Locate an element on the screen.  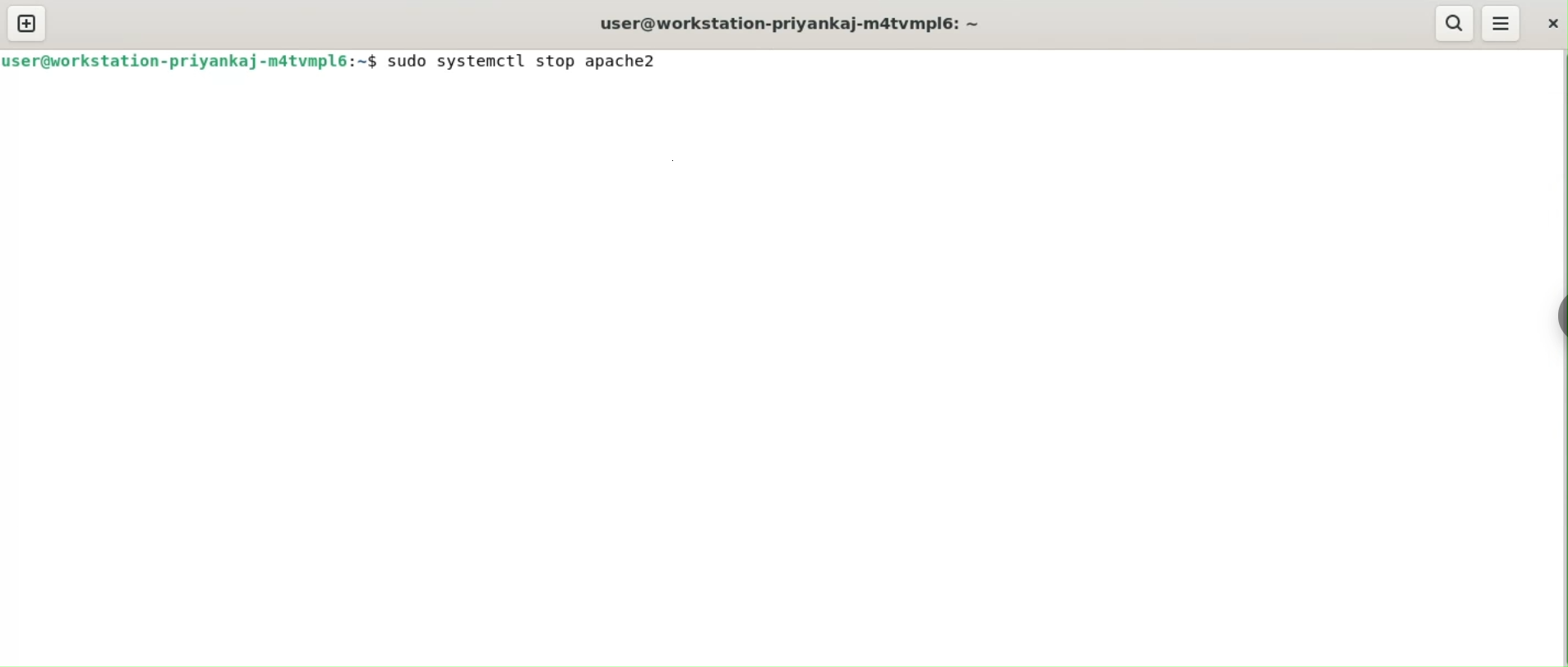
chrome options is located at coordinates (1549, 320).